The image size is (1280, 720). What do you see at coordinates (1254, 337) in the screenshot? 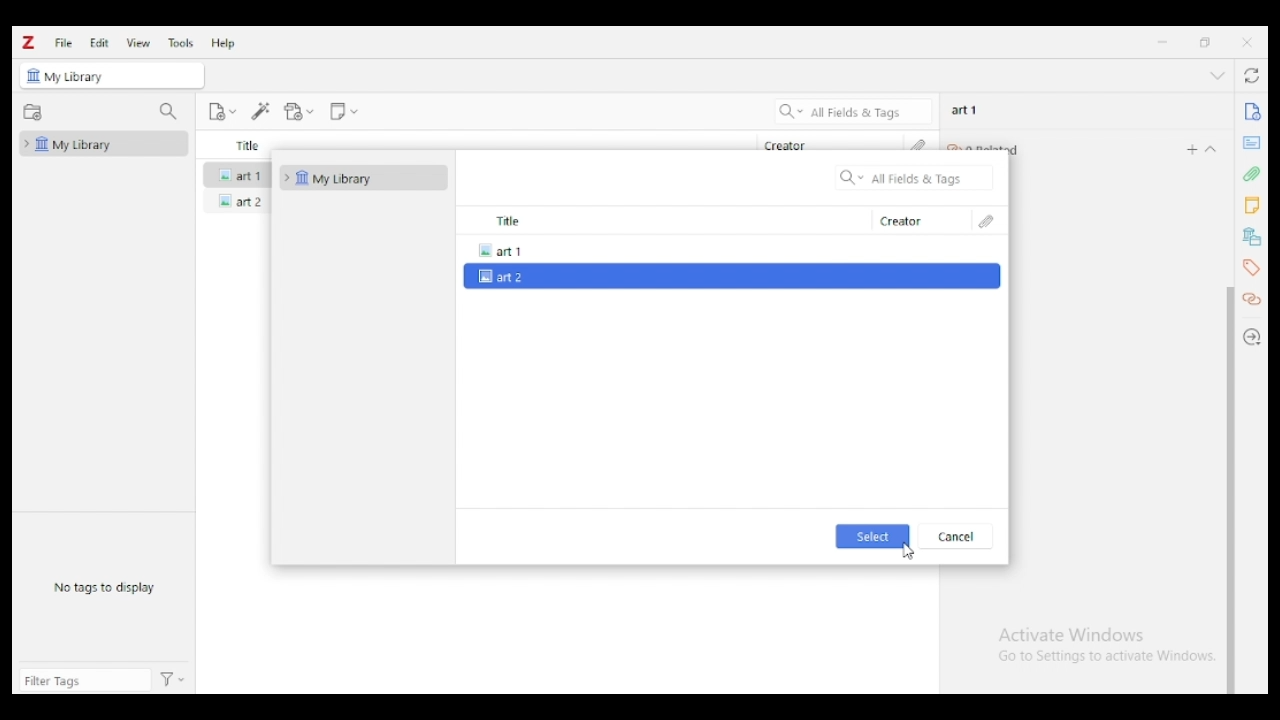
I see `locate` at bounding box center [1254, 337].